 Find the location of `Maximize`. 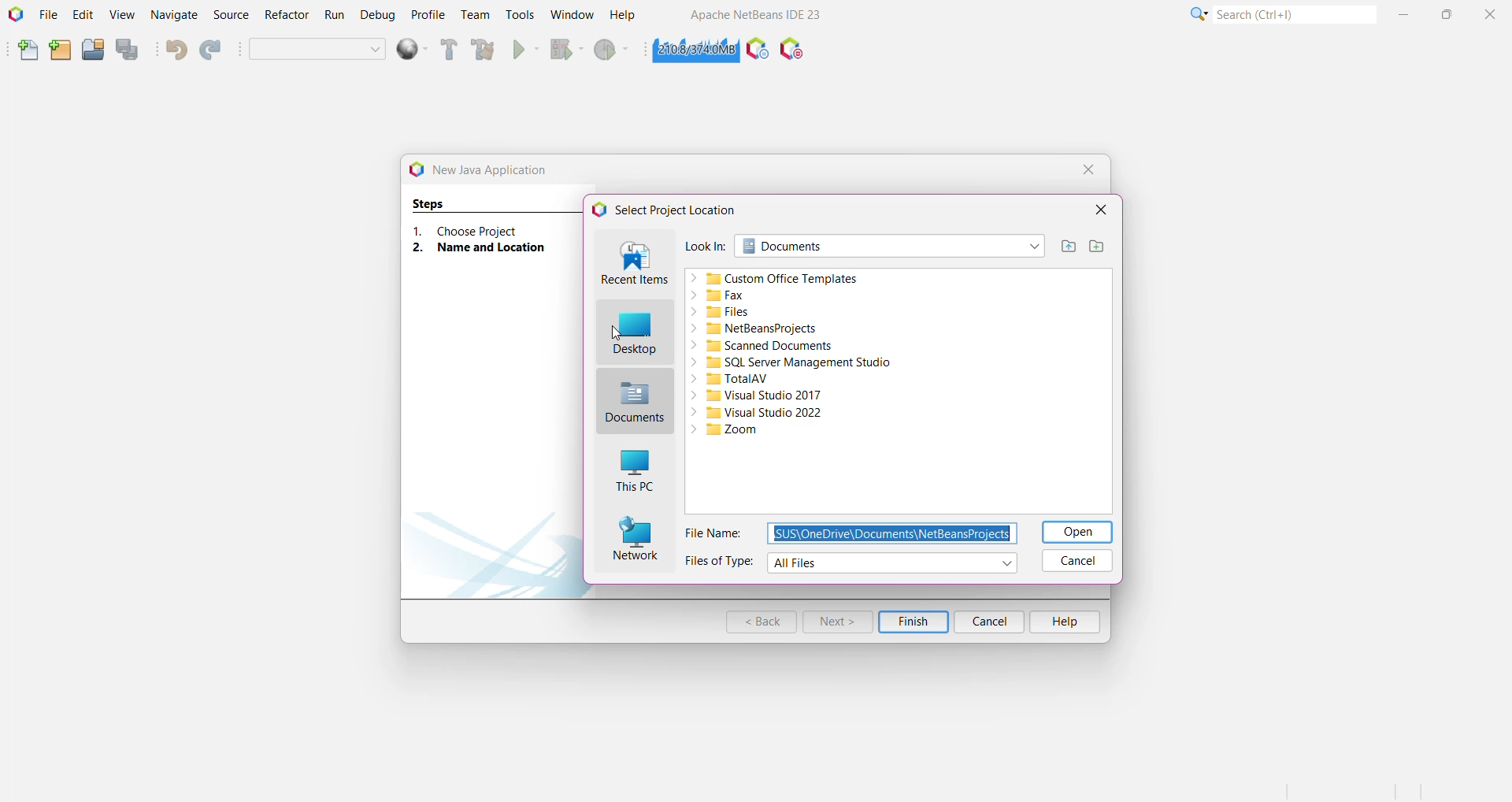

Maximize is located at coordinates (1448, 15).